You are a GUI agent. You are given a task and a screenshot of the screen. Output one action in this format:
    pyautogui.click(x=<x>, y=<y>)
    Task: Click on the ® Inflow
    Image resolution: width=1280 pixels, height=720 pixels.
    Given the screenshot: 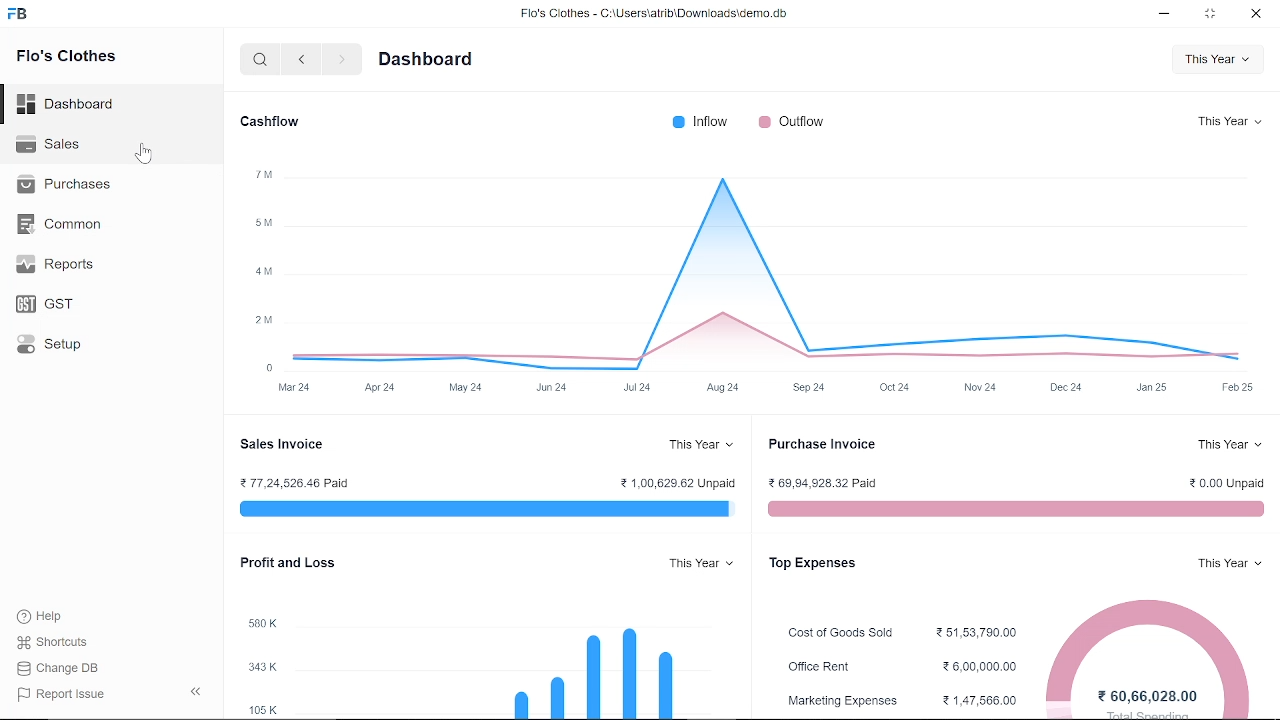 What is the action you would take?
    pyautogui.click(x=701, y=122)
    